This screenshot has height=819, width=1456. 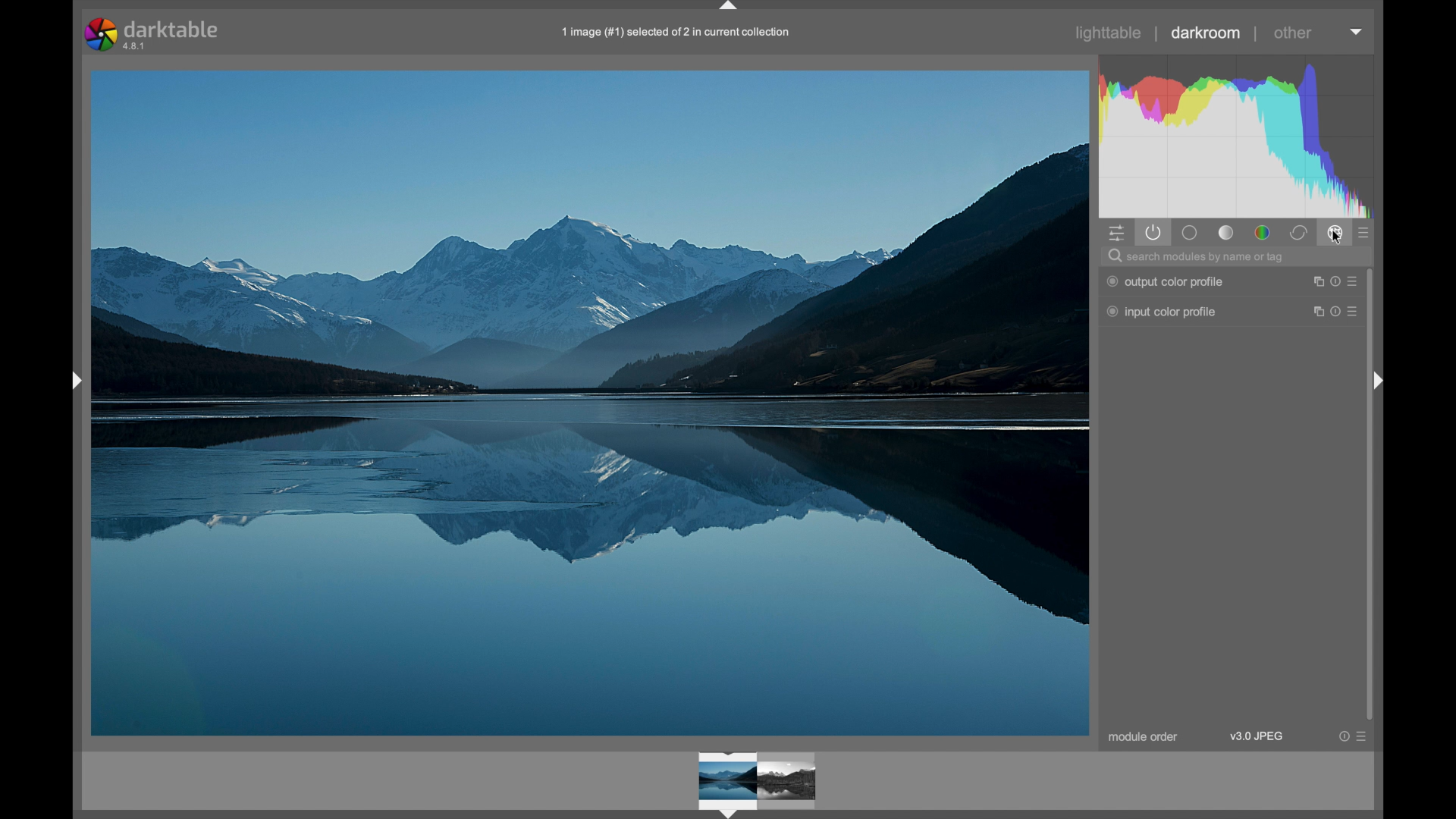 What do you see at coordinates (1337, 242) in the screenshot?
I see `cursor` at bounding box center [1337, 242].